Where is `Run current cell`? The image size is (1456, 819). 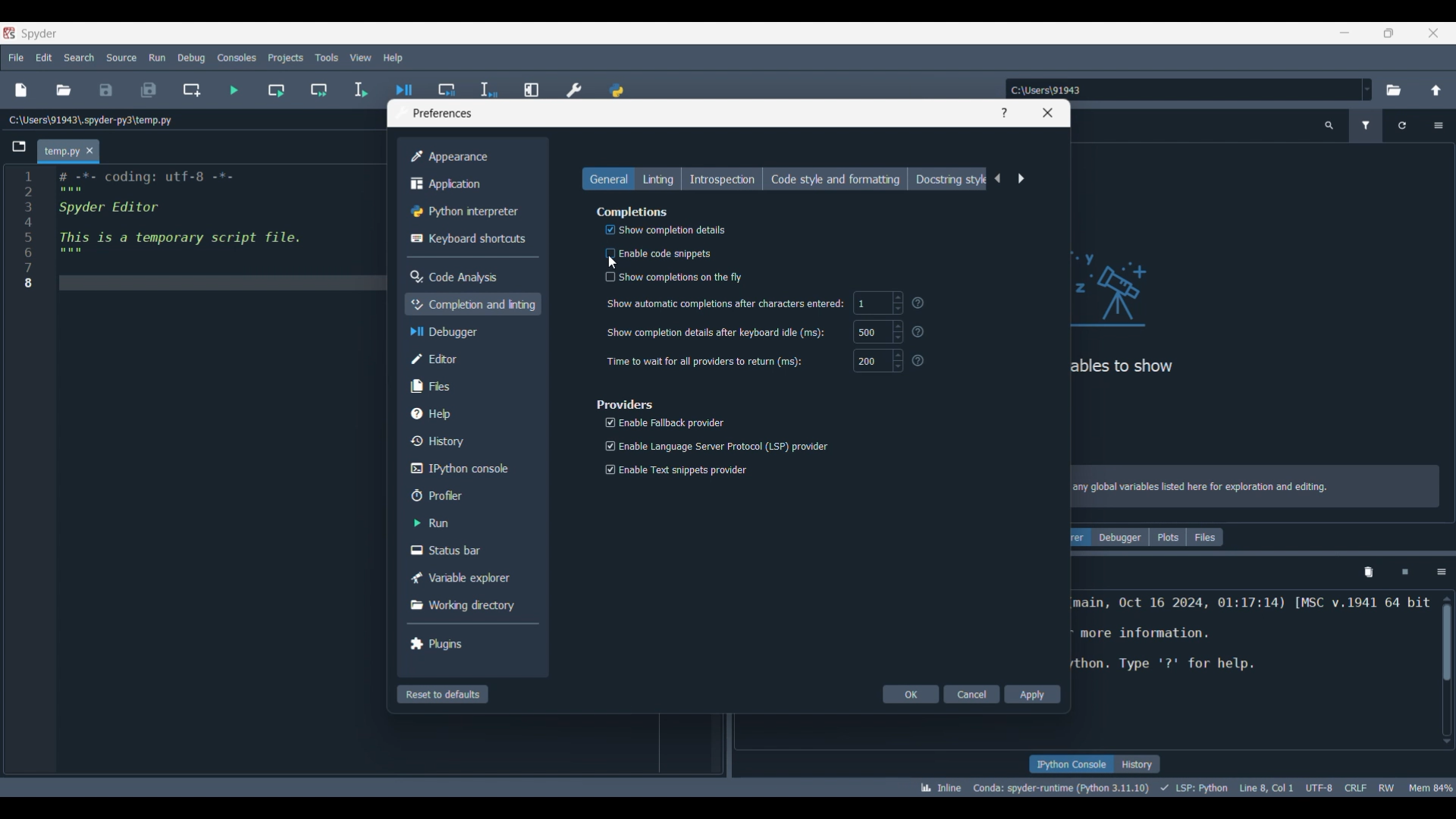 Run current cell is located at coordinates (277, 90).